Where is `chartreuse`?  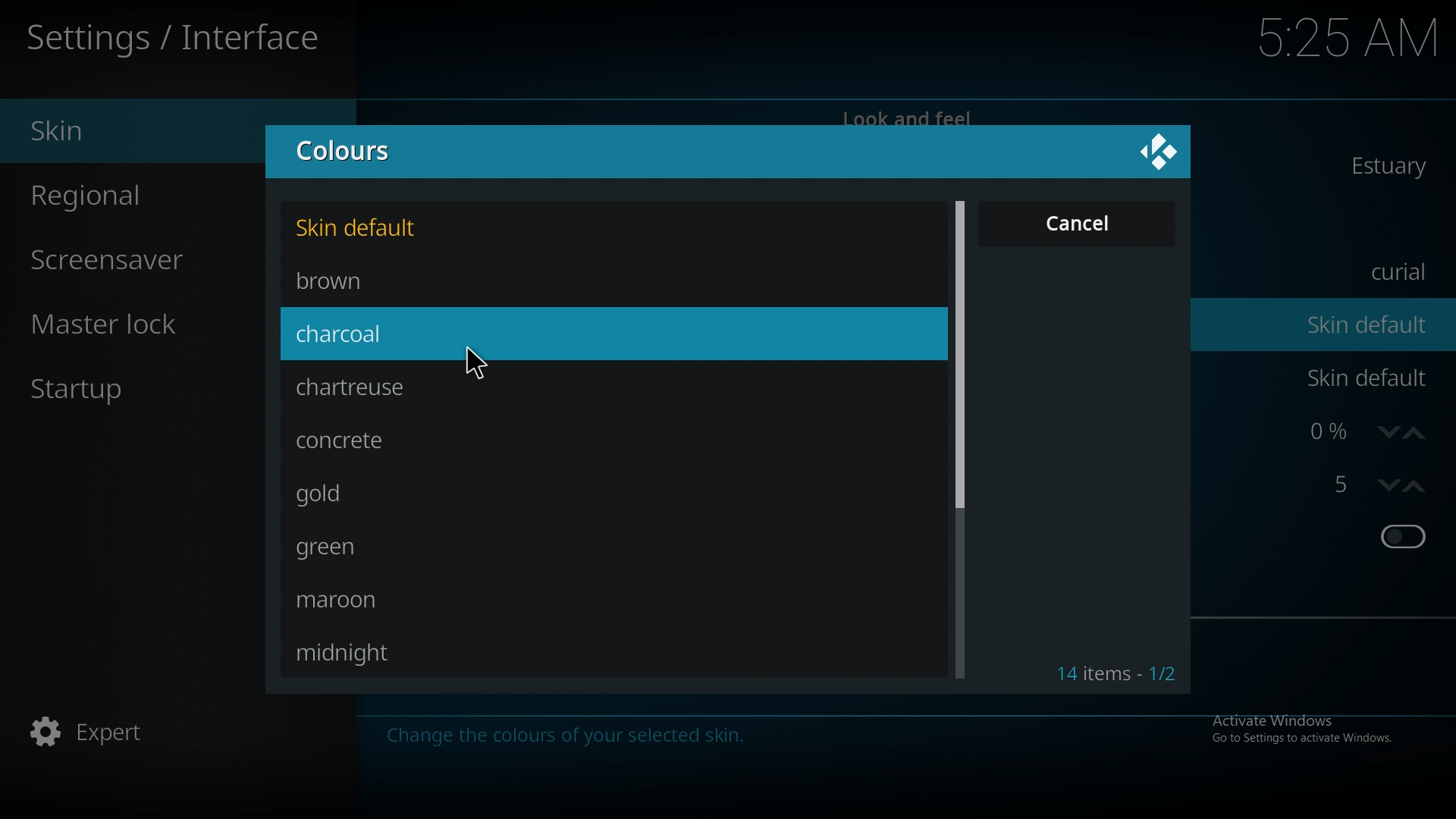 chartreuse is located at coordinates (378, 389).